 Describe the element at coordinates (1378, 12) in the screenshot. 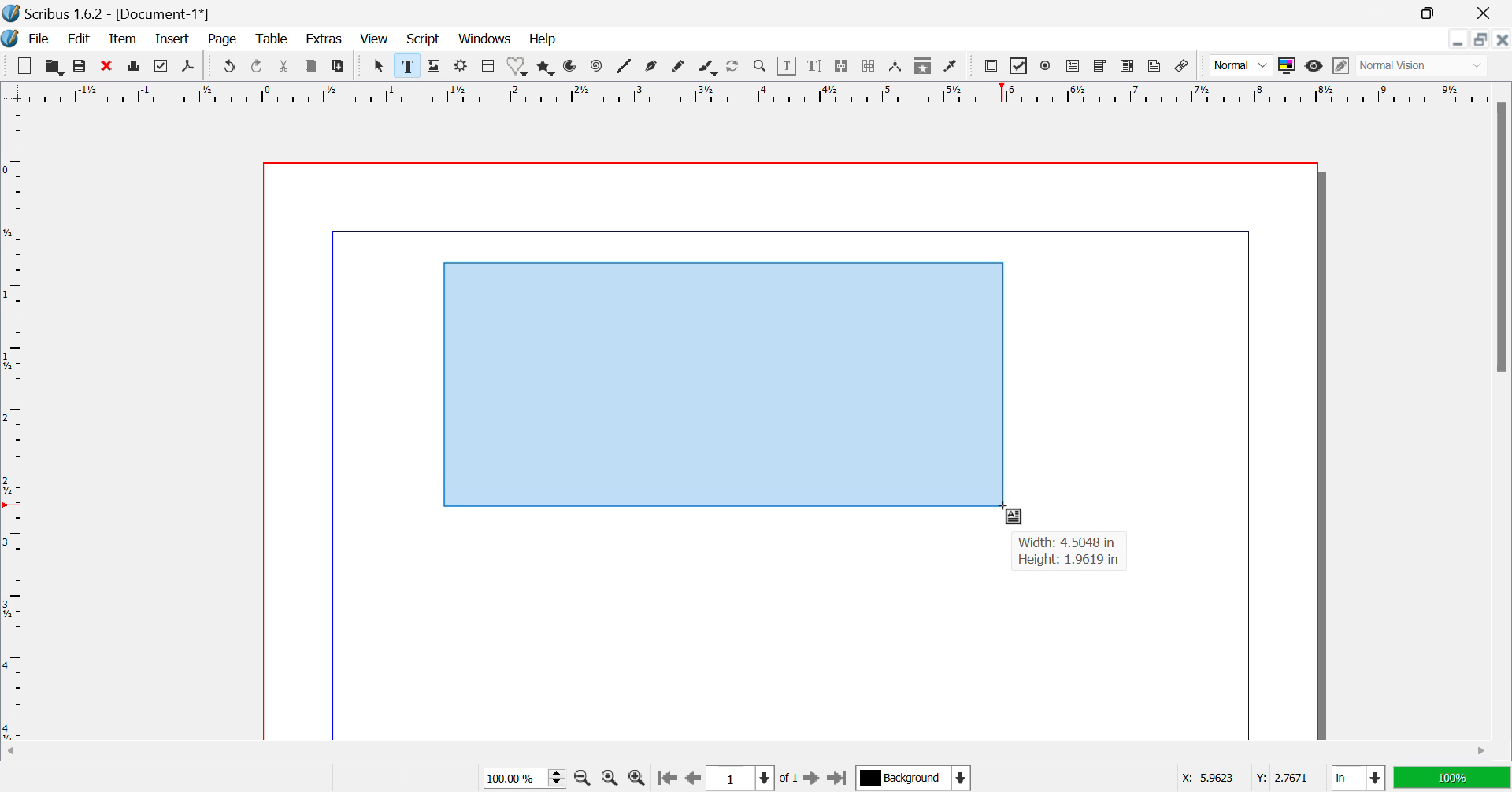

I see `Restore Down` at that location.